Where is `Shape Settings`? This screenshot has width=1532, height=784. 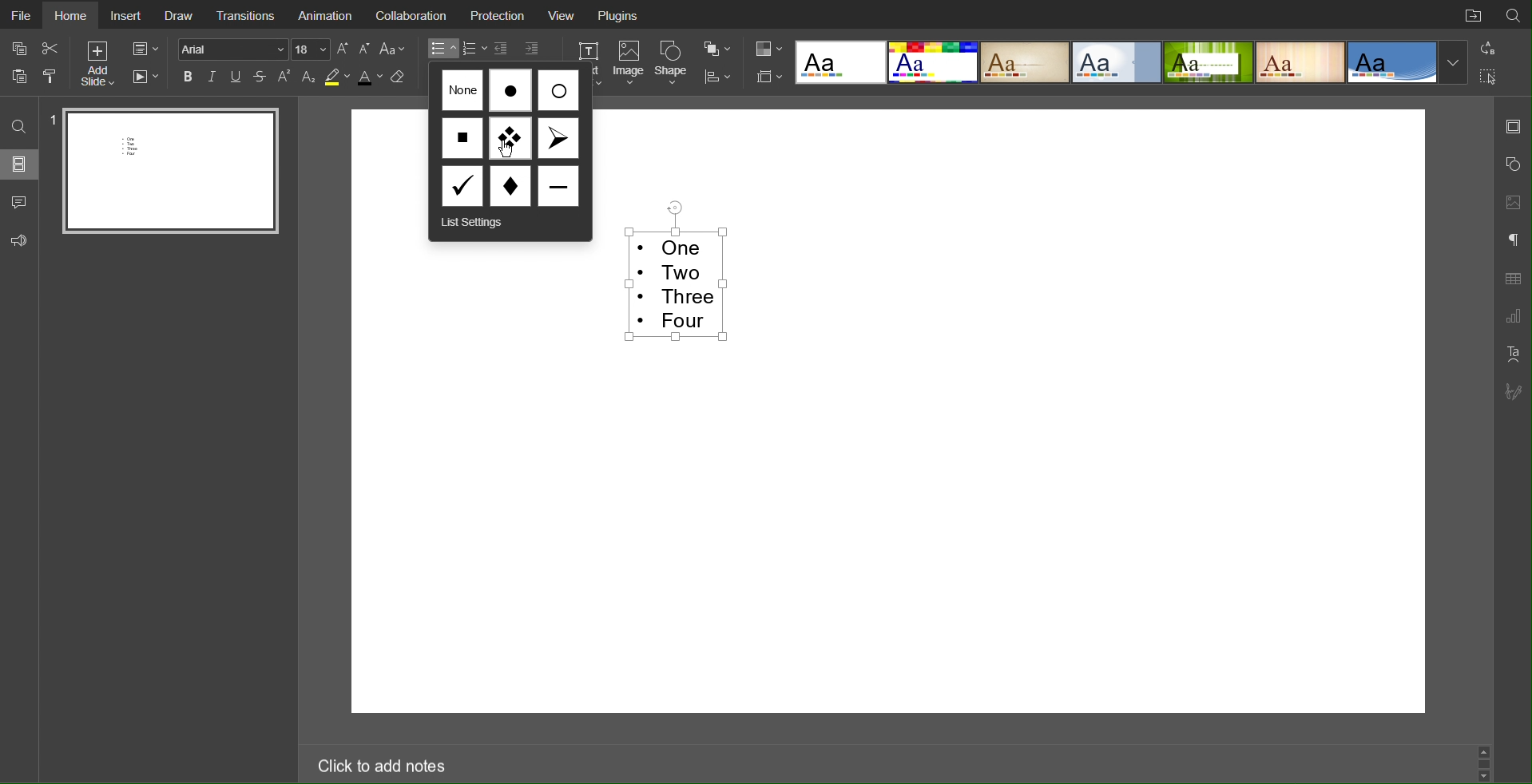 Shape Settings is located at coordinates (1511, 164).